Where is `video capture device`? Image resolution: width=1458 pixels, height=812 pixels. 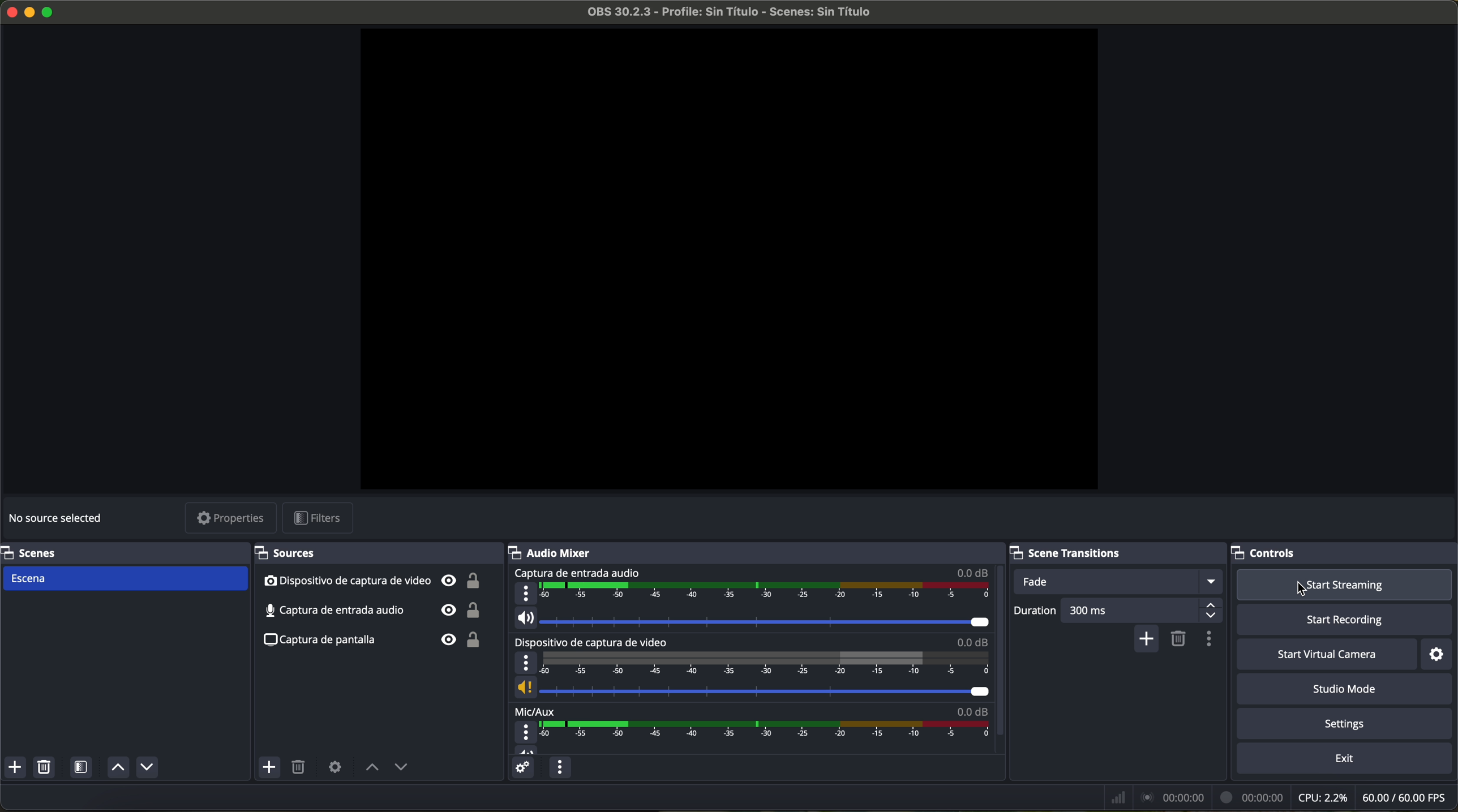 video capture device is located at coordinates (749, 668).